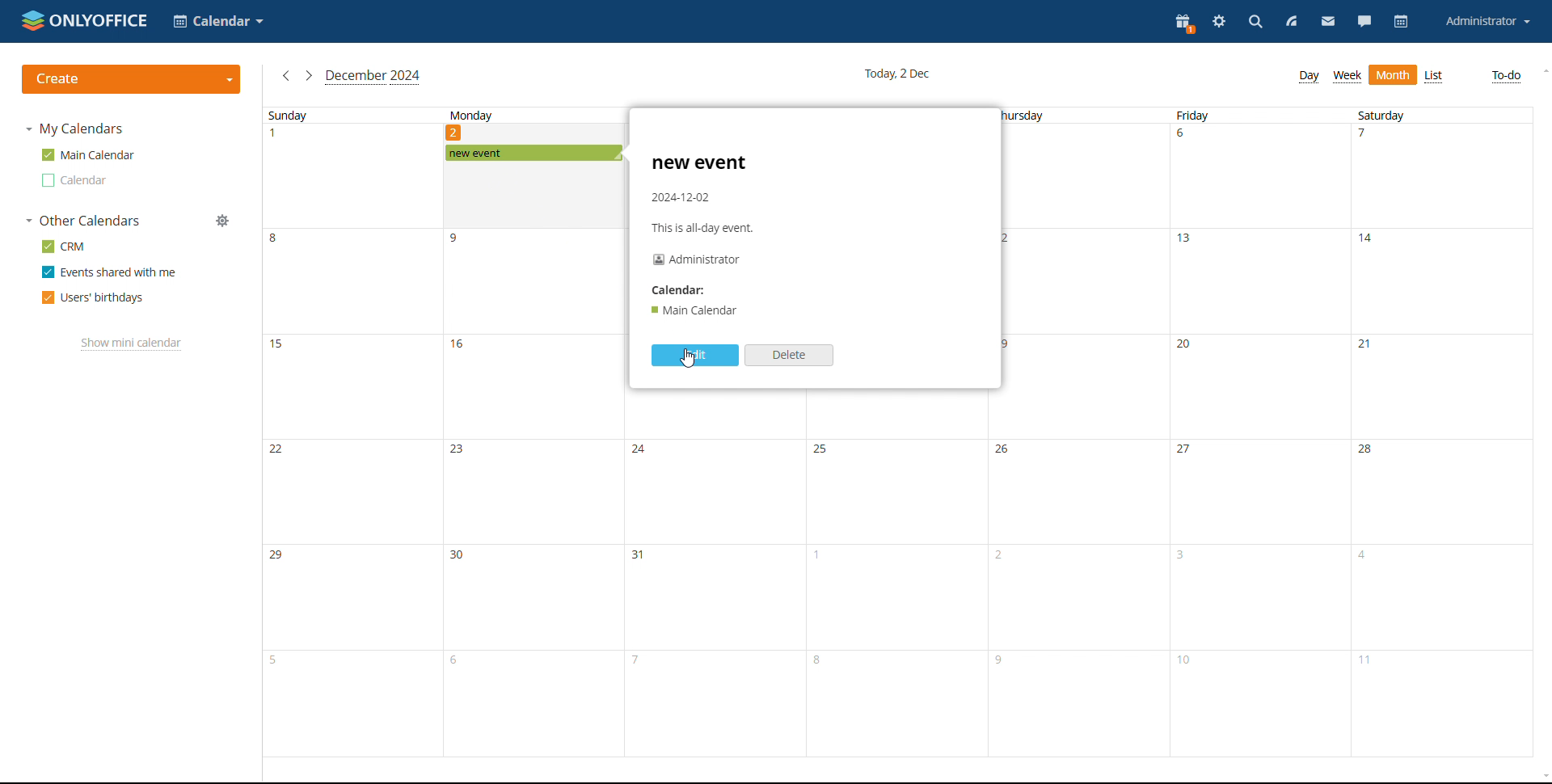 This screenshot has width=1552, height=784. Describe the element at coordinates (522, 125) in the screenshot. I see `monday` at that location.